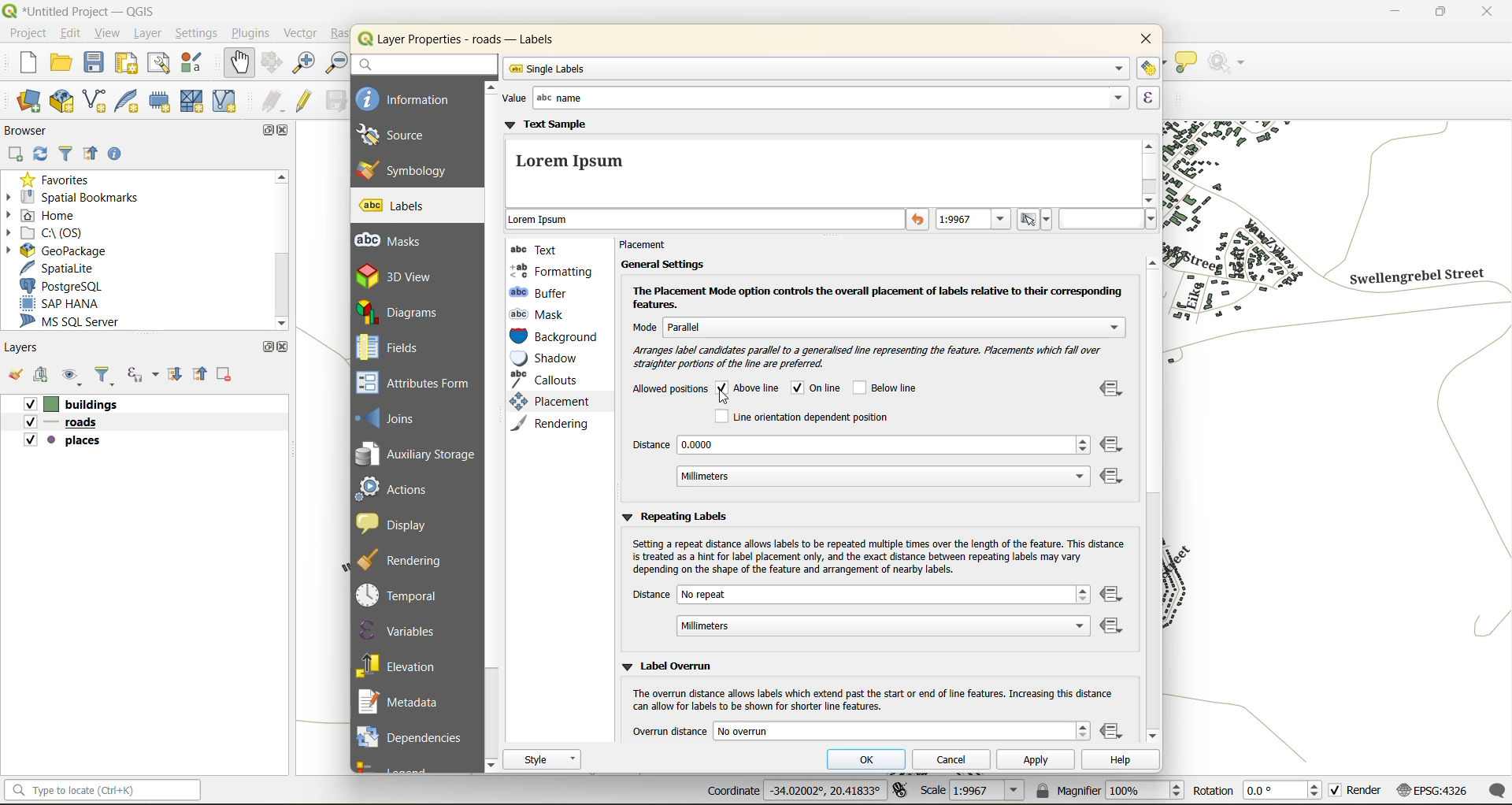 This screenshot has width=1512, height=805. Describe the element at coordinates (143, 375) in the screenshot. I see `filter by expression` at that location.